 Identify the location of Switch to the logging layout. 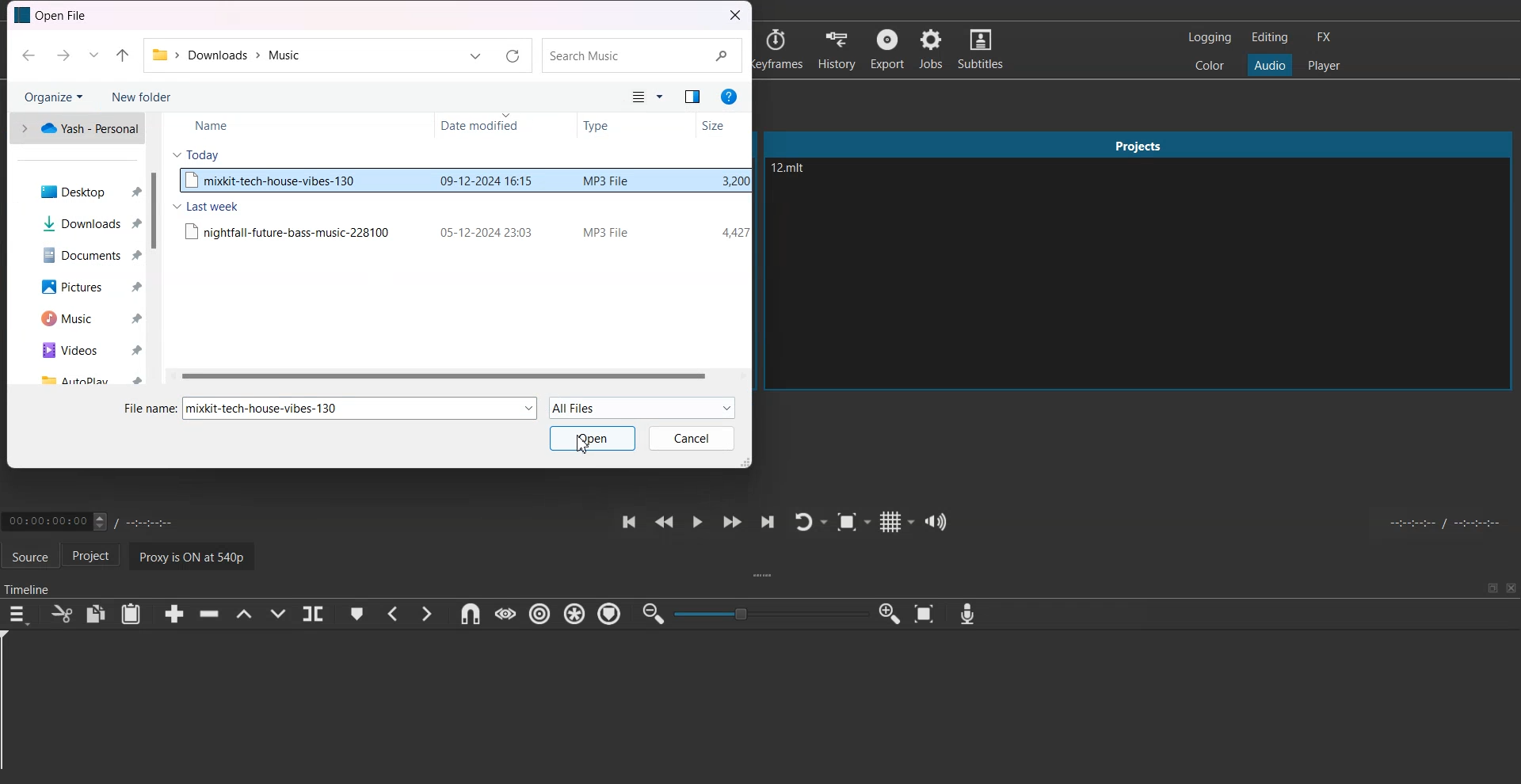
(1208, 37).